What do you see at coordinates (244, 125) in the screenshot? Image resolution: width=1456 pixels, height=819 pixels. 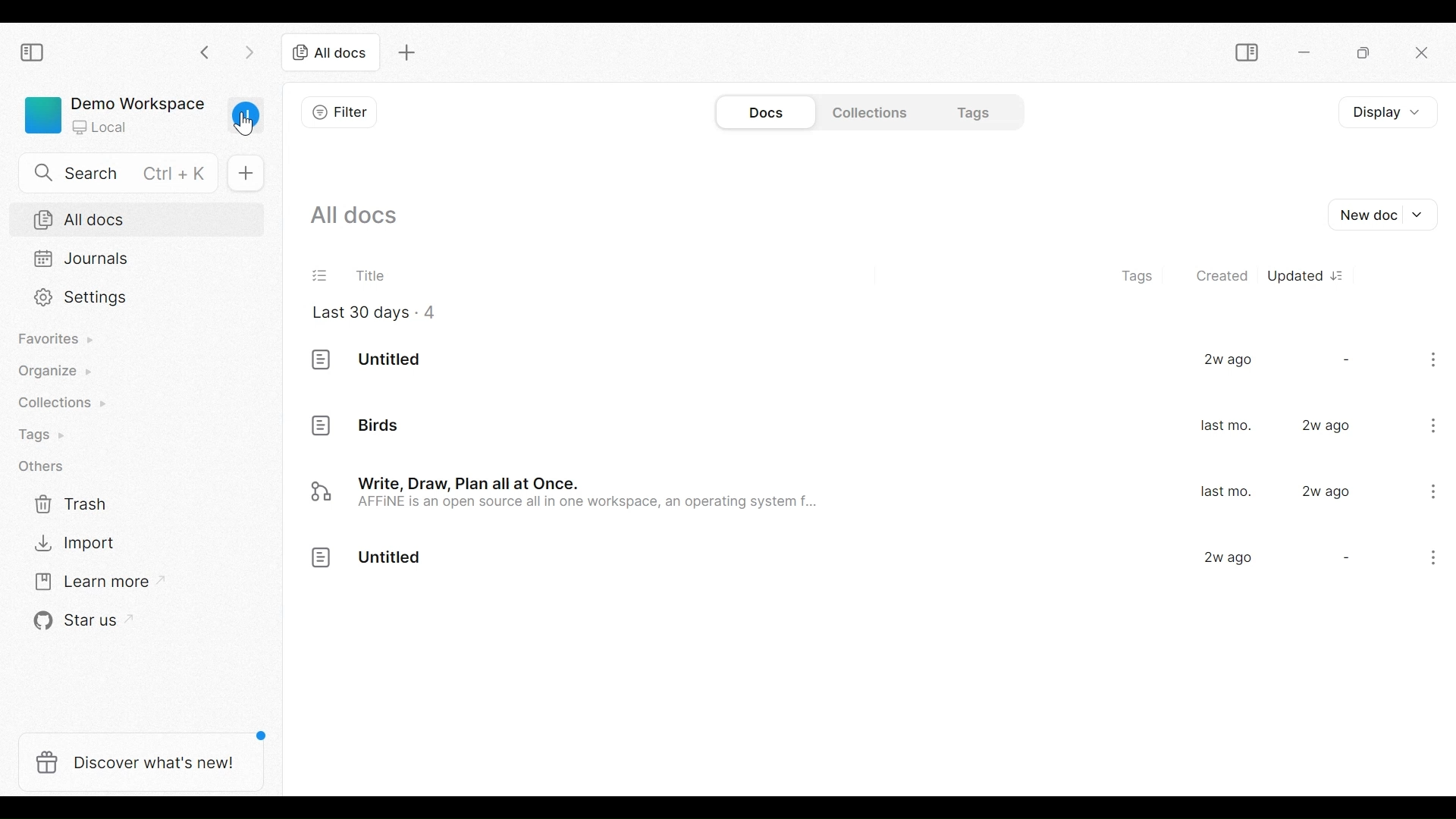 I see `cursor` at bounding box center [244, 125].